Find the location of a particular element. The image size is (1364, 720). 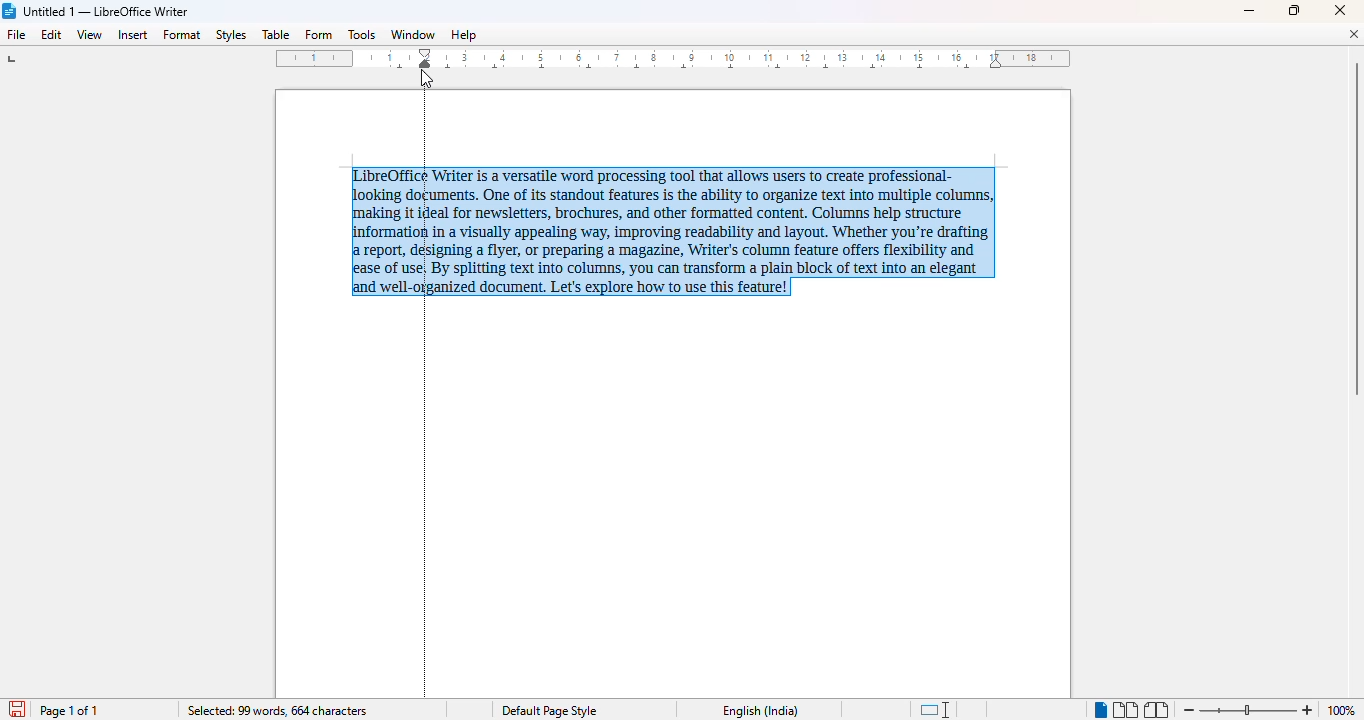

Default page style is located at coordinates (553, 710).